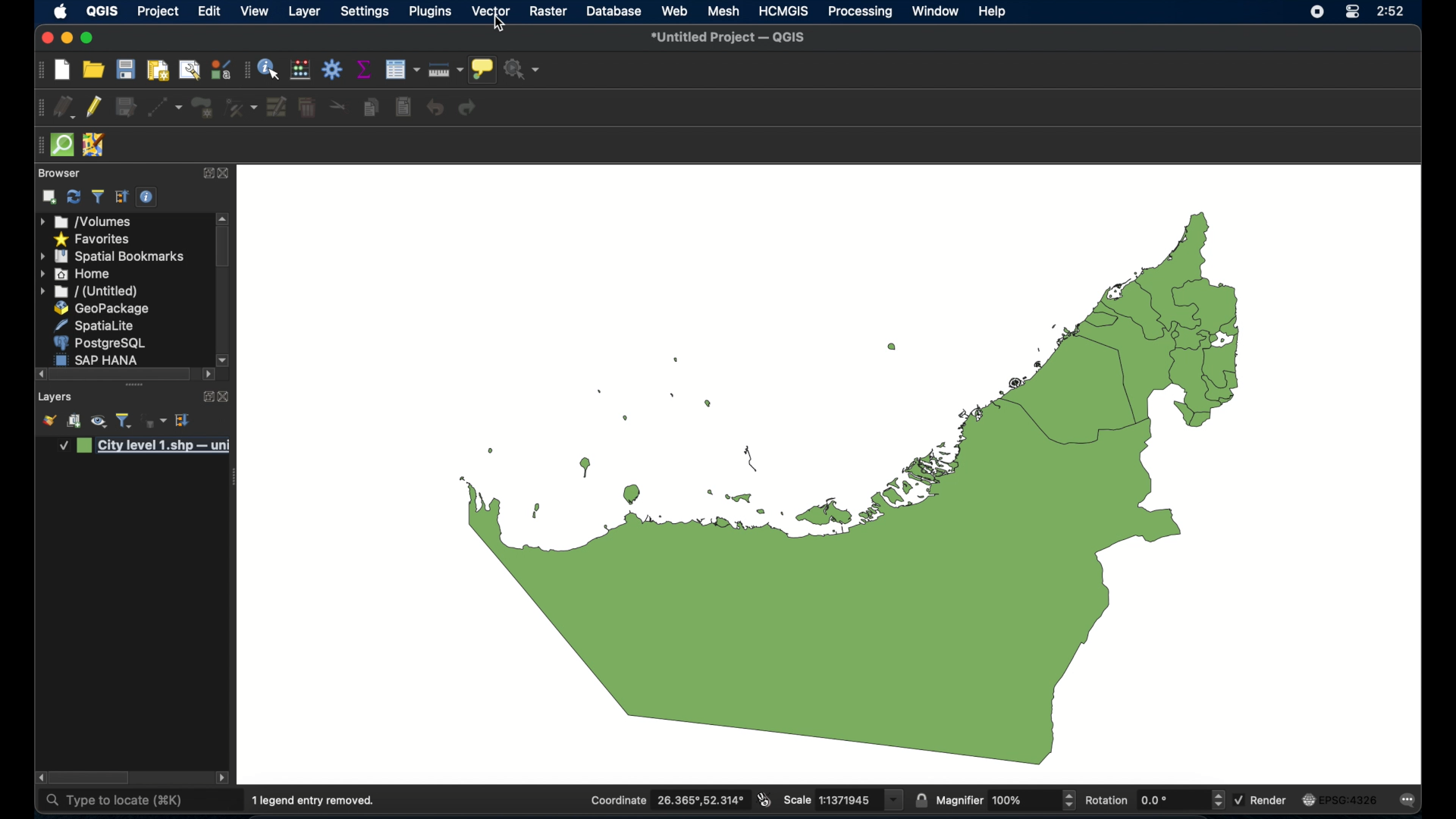 This screenshot has height=819, width=1456. Describe the element at coordinates (39, 71) in the screenshot. I see `project toolbar` at that location.